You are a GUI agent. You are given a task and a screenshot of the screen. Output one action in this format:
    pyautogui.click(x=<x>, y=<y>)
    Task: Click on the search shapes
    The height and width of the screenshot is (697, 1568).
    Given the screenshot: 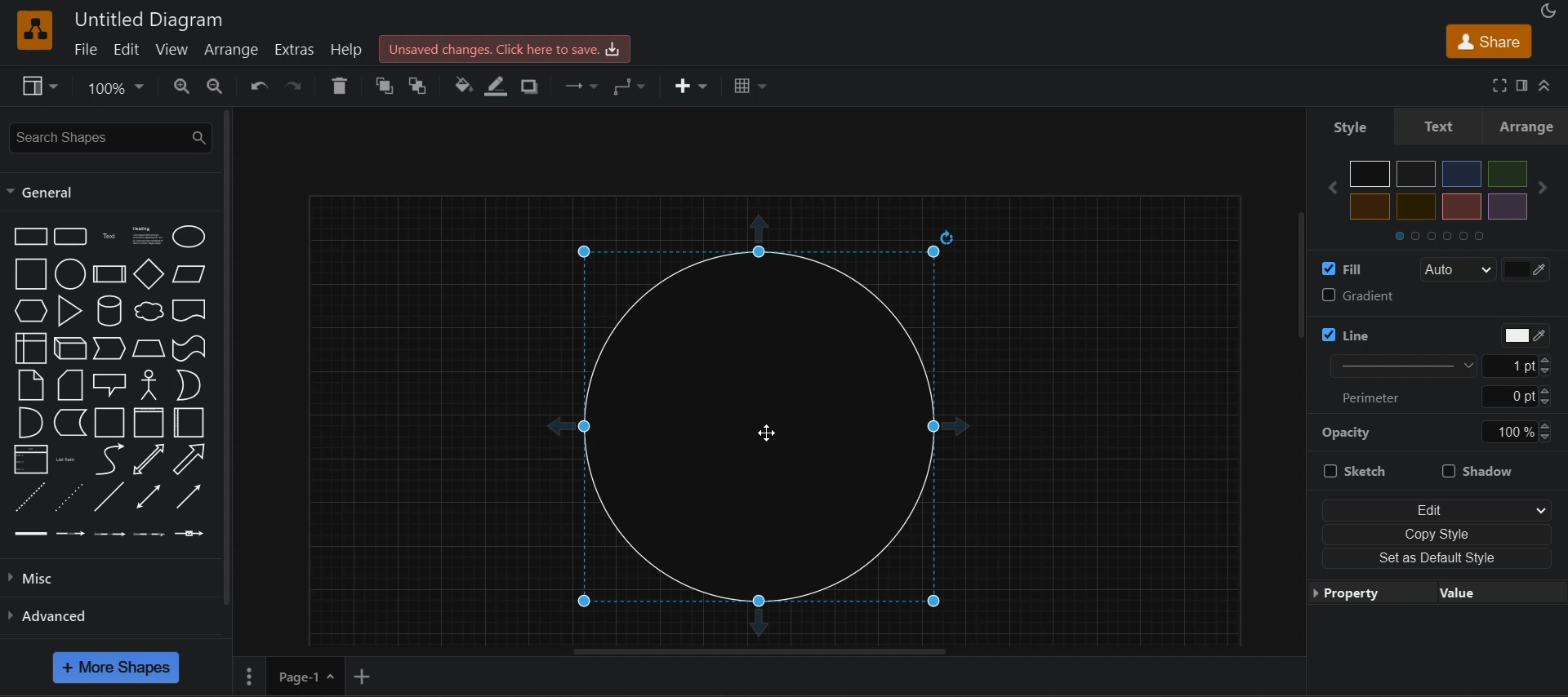 What is the action you would take?
    pyautogui.click(x=105, y=136)
    